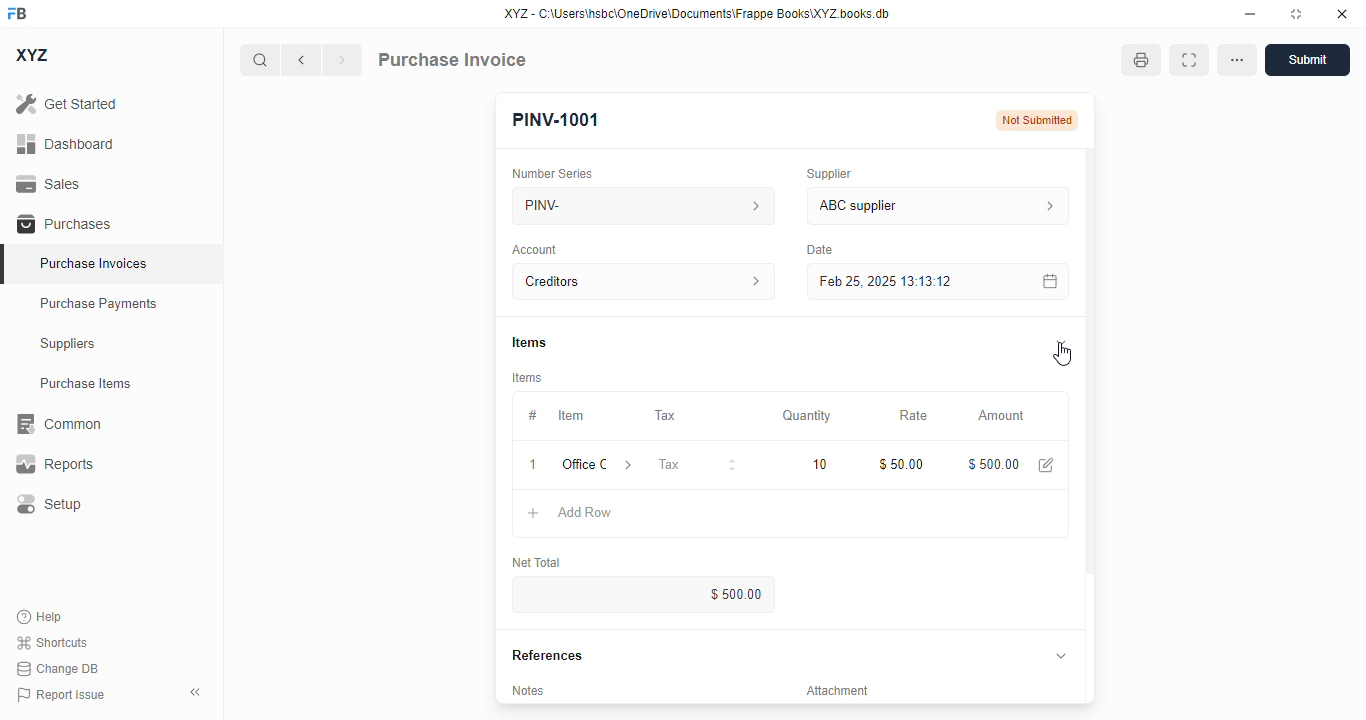 This screenshot has height=720, width=1366. Describe the element at coordinates (1038, 120) in the screenshot. I see `Not submitted` at that location.